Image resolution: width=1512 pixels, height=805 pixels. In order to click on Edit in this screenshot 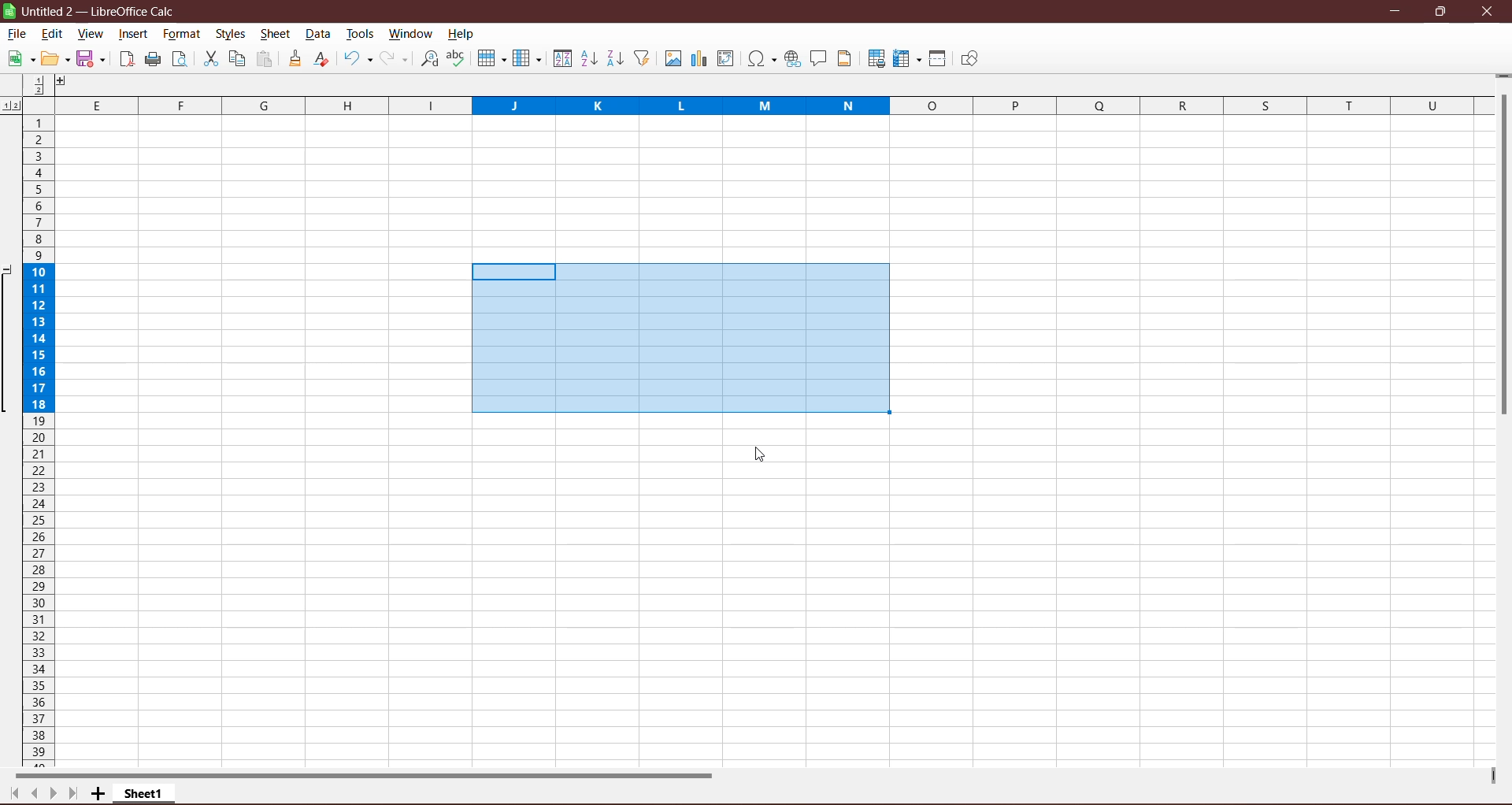, I will do `click(53, 35)`.